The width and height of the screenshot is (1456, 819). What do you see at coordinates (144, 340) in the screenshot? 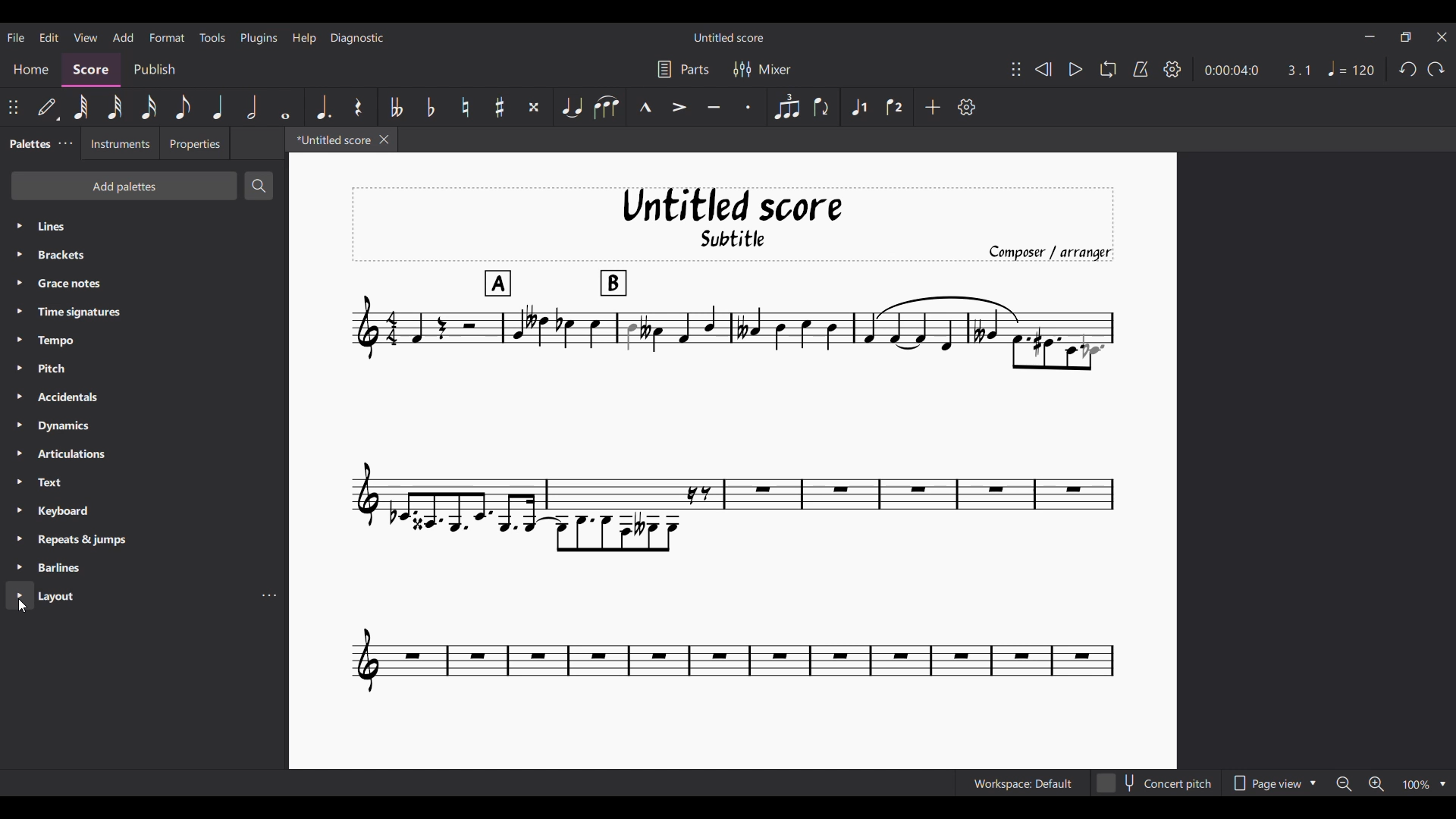
I see `Tempo` at bounding box center [144, 340].